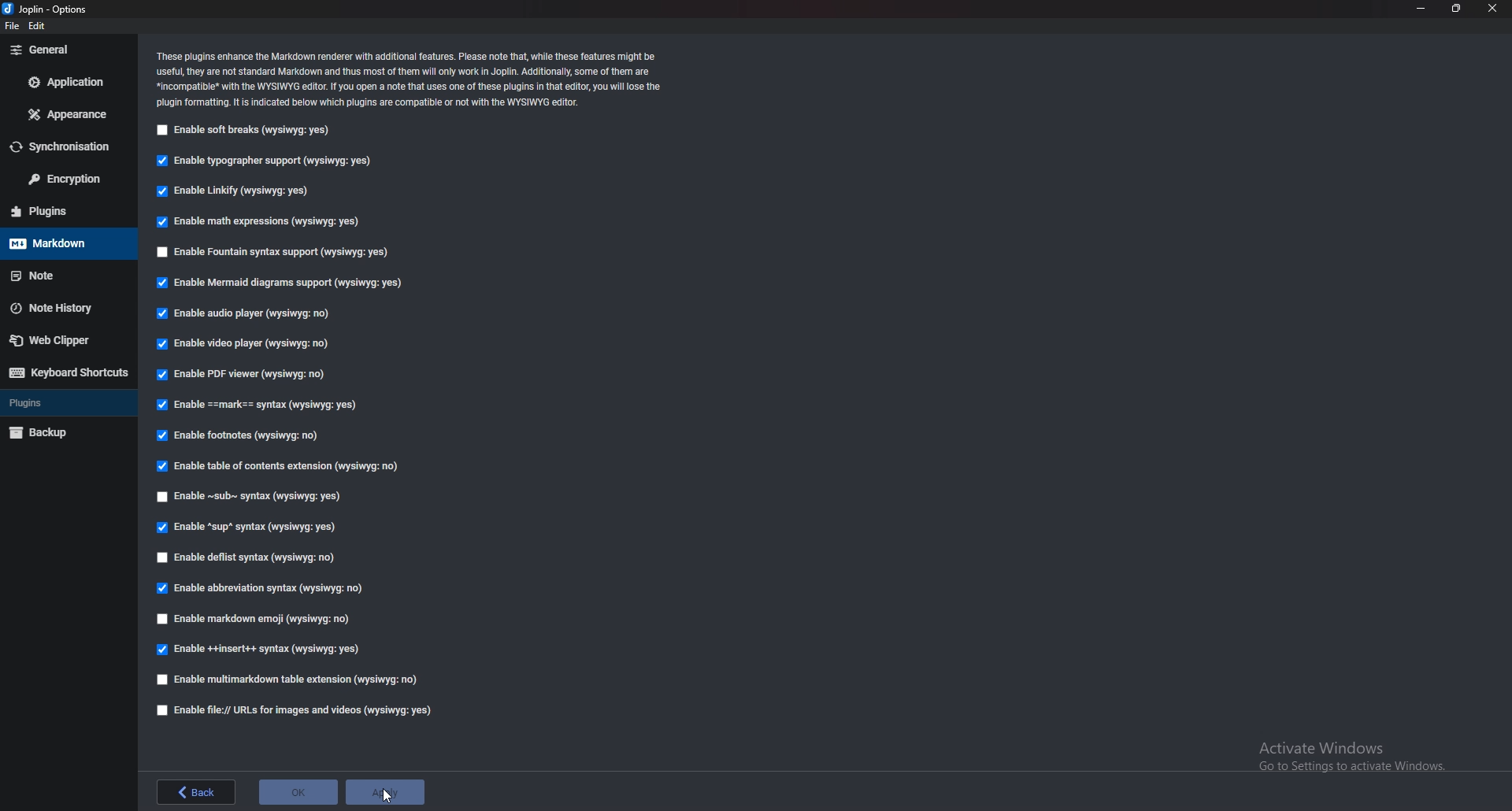 The height and width of the screenshot is (811, 1512). What do you see at coordinates (244, 313) in the screenshot?
I see `` at bounding box center [244, 313].